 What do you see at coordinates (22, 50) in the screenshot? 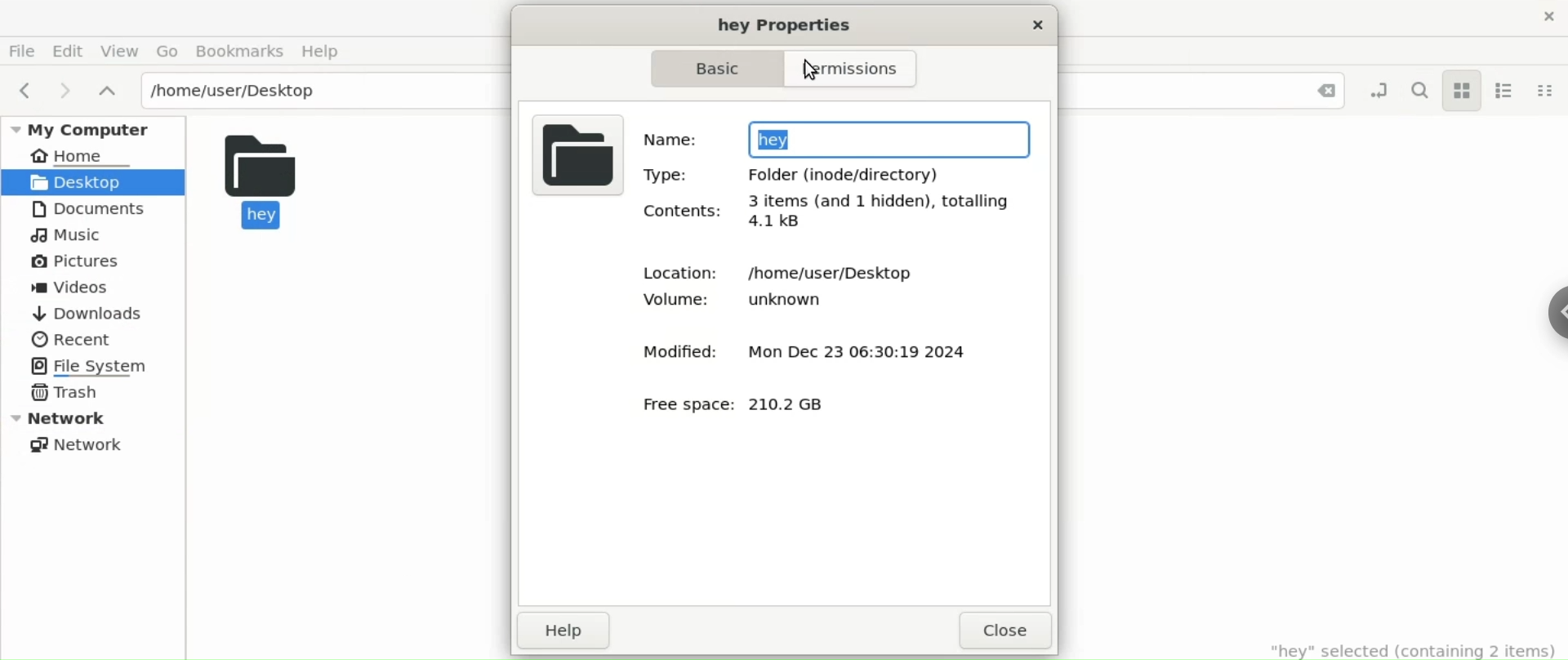
I see `File` at bounding box center [22, 50].